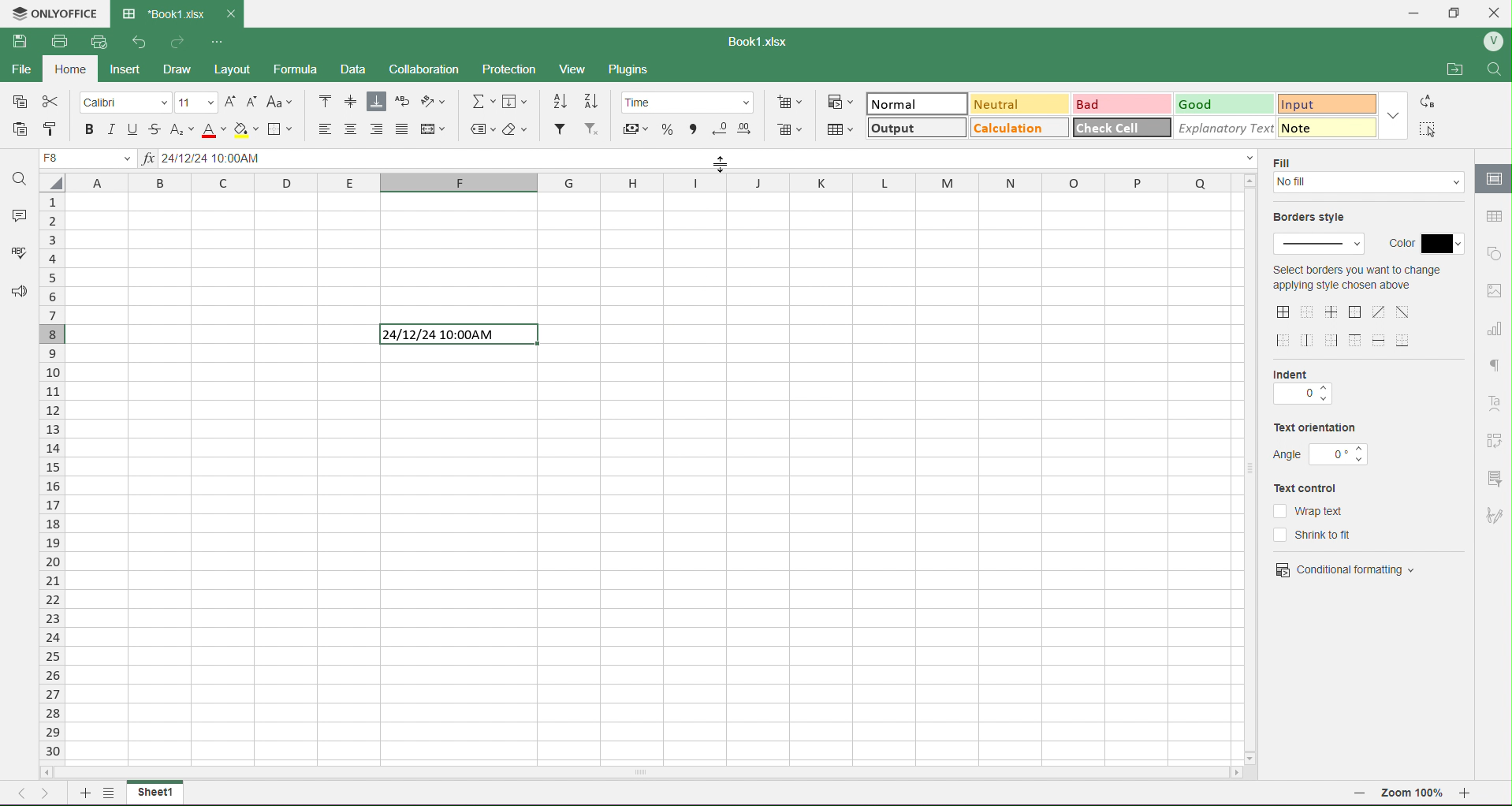 The width and height of the screenshot is (1512, 806). What do you see at coordinates (252, 100) in the screenshot?
I see `Decrement Font Size` at bounding box center [252, 100].